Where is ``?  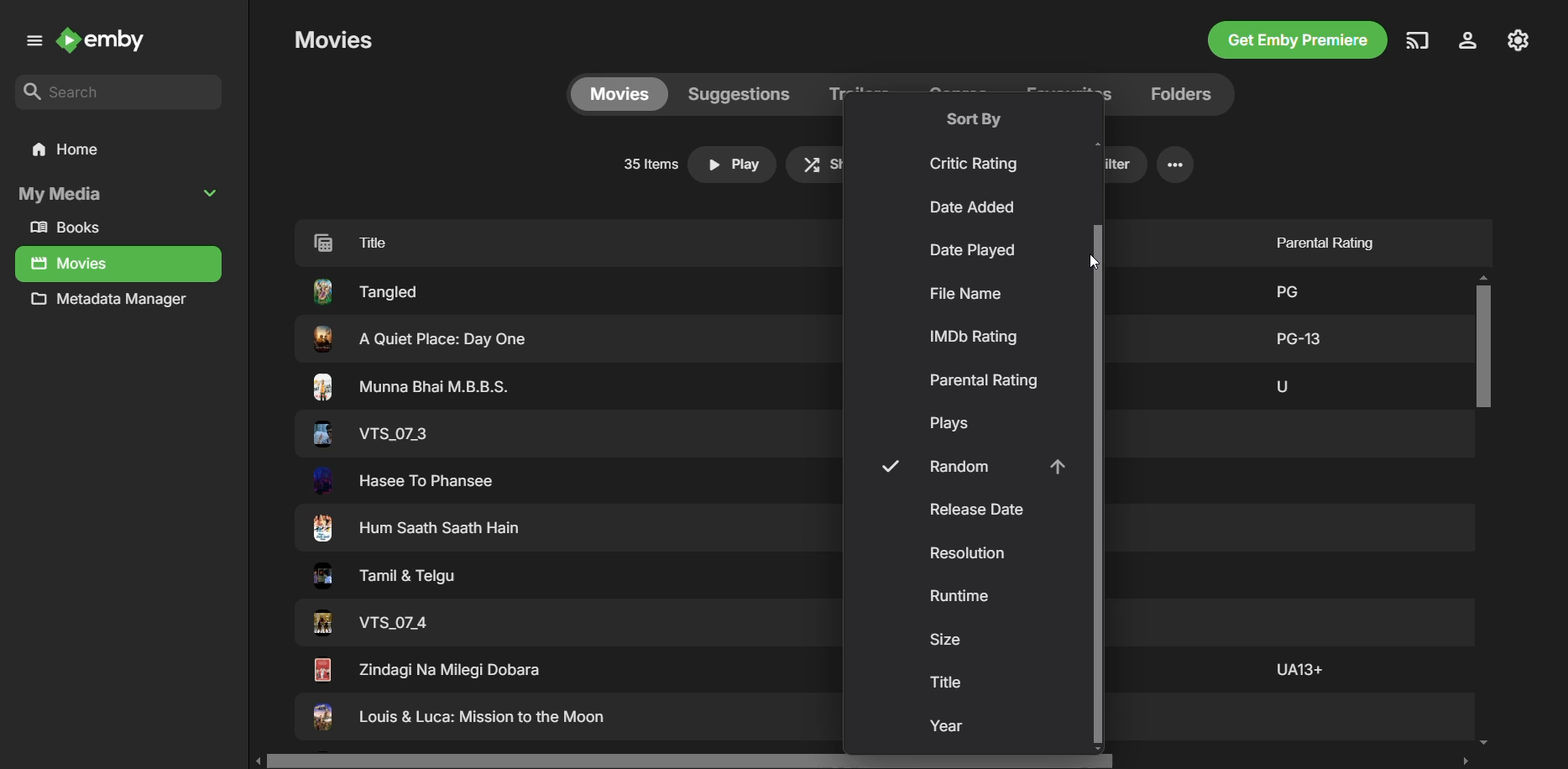
 is located at coordinates (405, 481).